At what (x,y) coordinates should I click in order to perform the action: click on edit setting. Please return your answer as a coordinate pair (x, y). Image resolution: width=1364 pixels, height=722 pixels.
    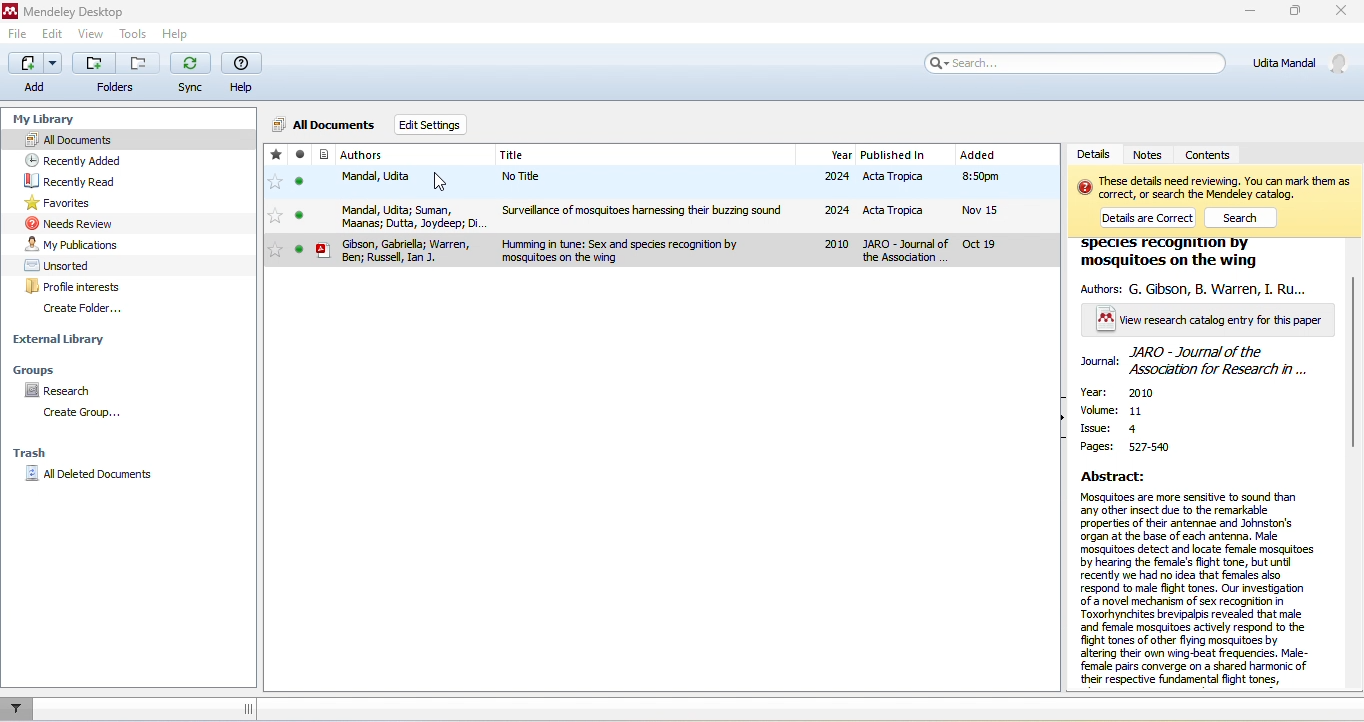
    Looking at the image, I should click on (434, 124).